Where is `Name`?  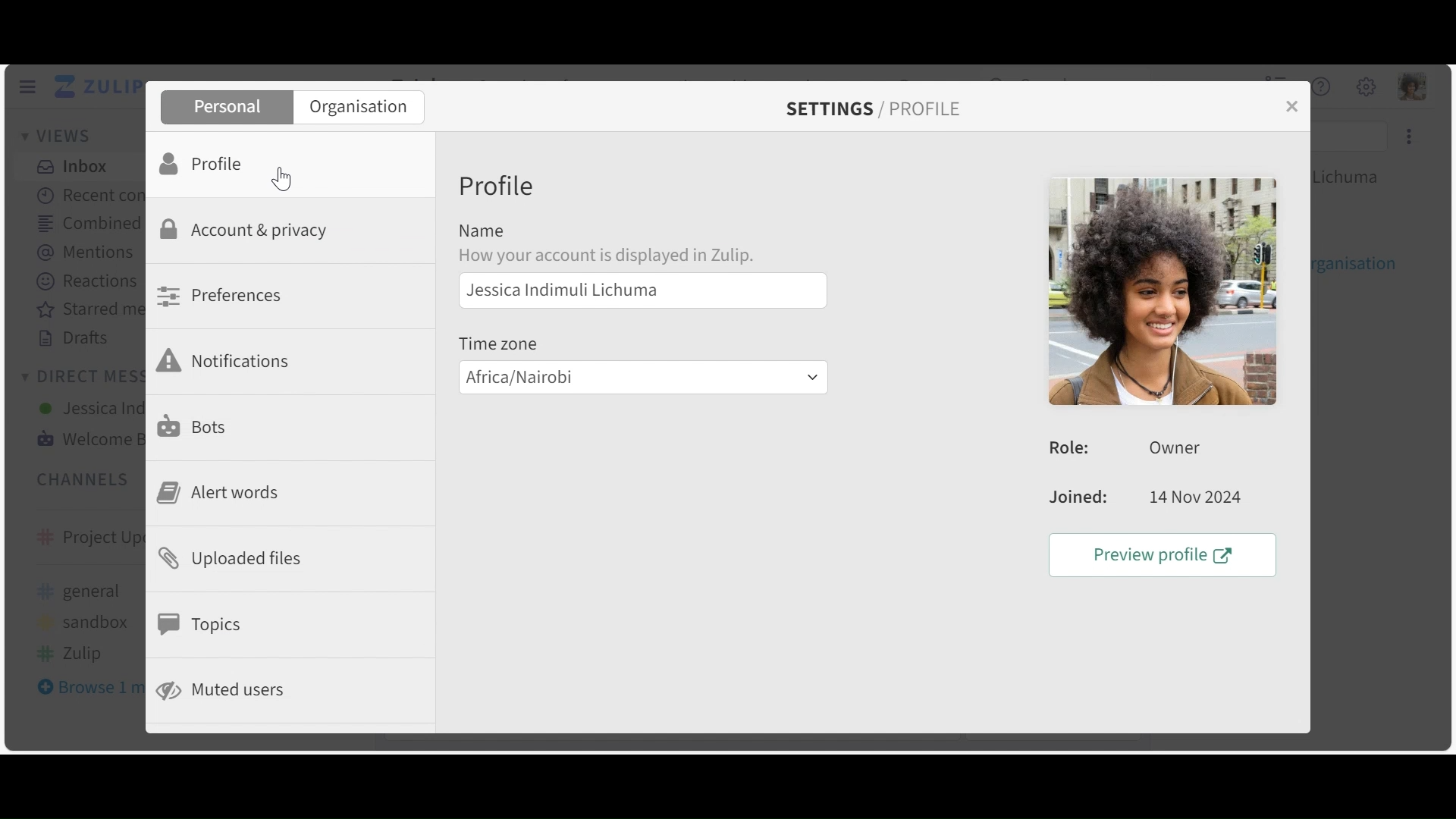
Name is located at coordinates (484, 234).